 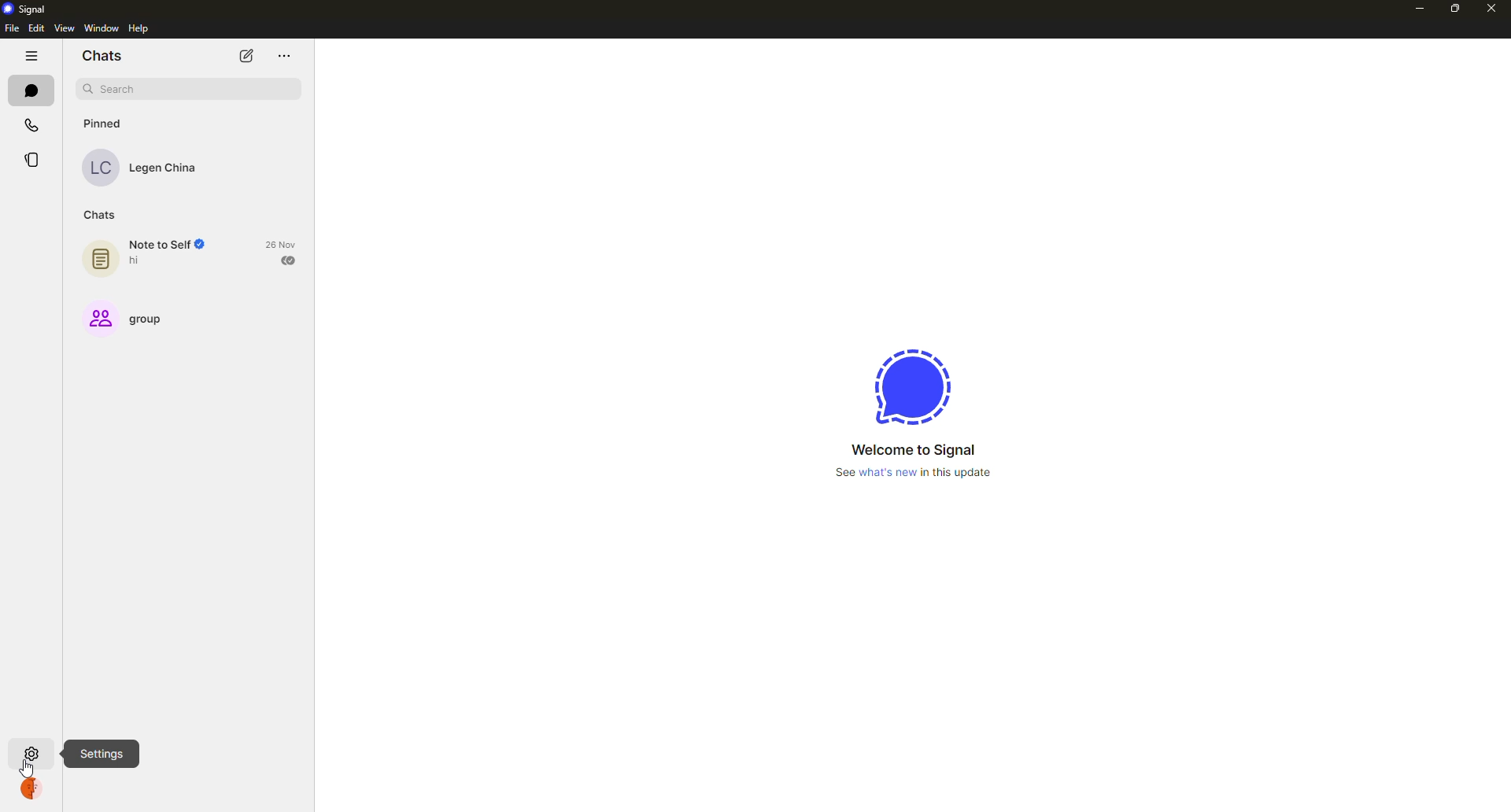 I want to click on signal, so click(x=913, y=383).